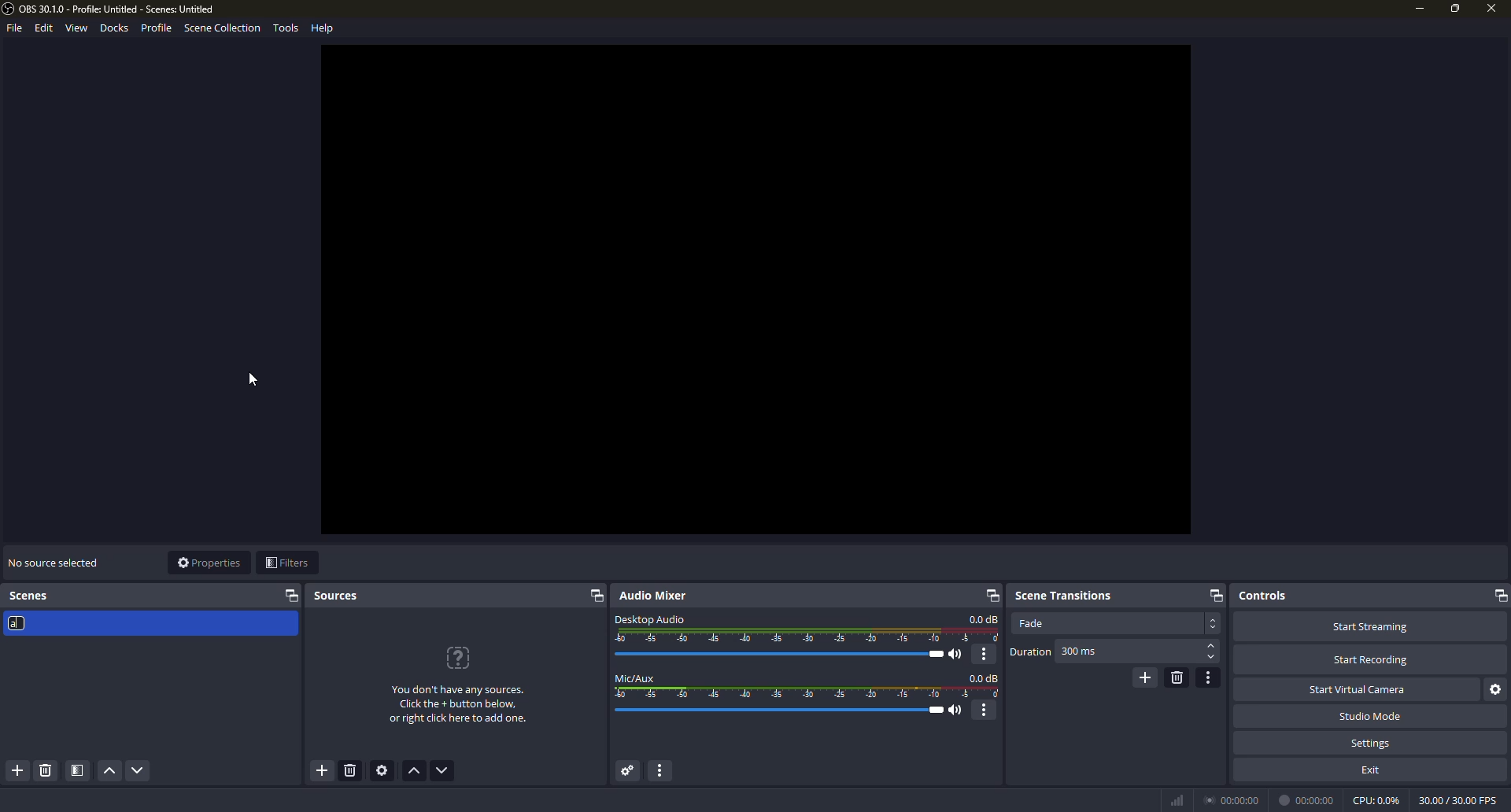 Image resolution: width=1511 pixels, height=812 pixels. Describe the element at coordinates (1030, 652) in the screenshot. I see `duration` at that location.